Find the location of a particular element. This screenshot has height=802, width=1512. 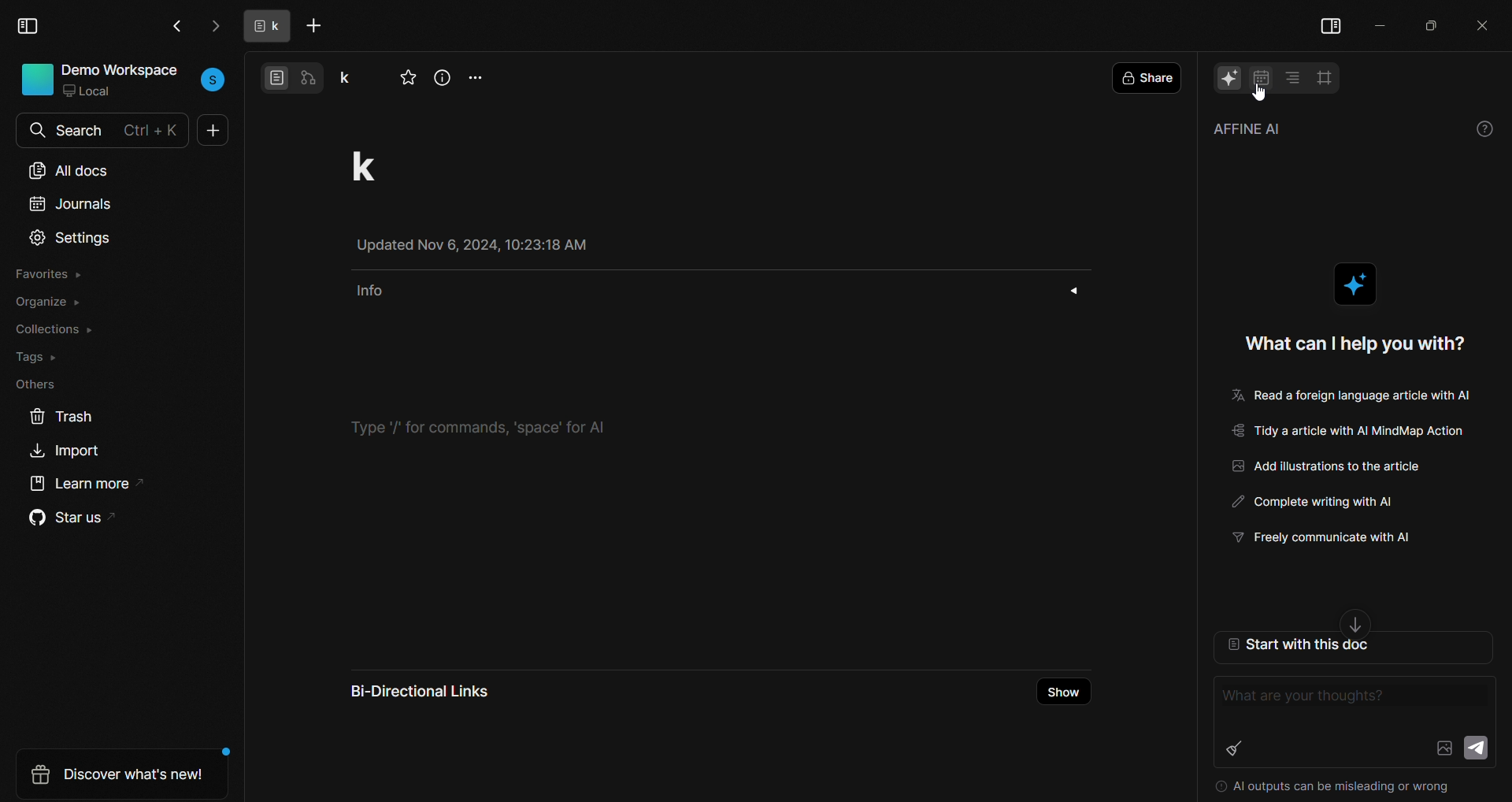

Complete writing with ai is located at coordinates (1315, 503).